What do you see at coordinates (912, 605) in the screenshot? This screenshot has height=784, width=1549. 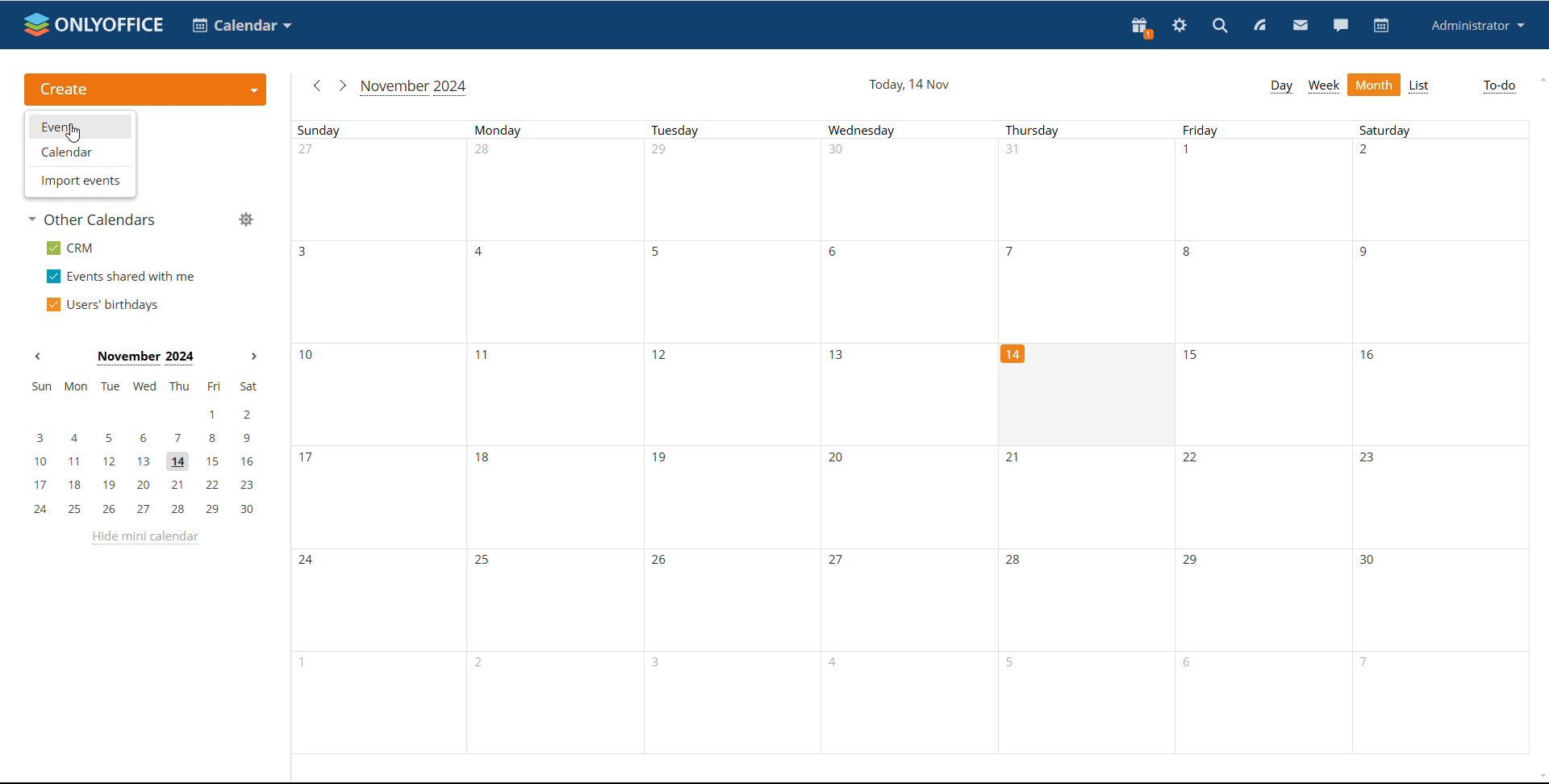 I see `Different dates of the month` at bounding box center [912, 605].